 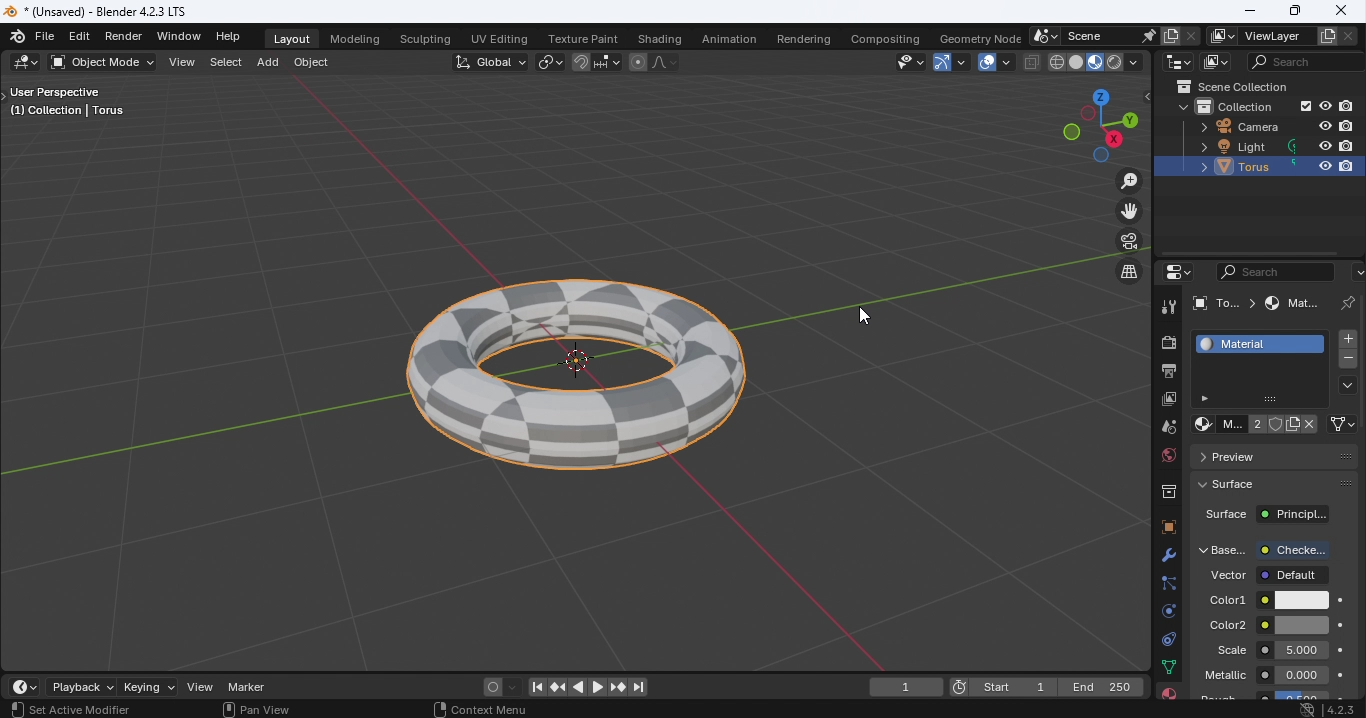 I want to click on Render, so click(x=125, y=38).